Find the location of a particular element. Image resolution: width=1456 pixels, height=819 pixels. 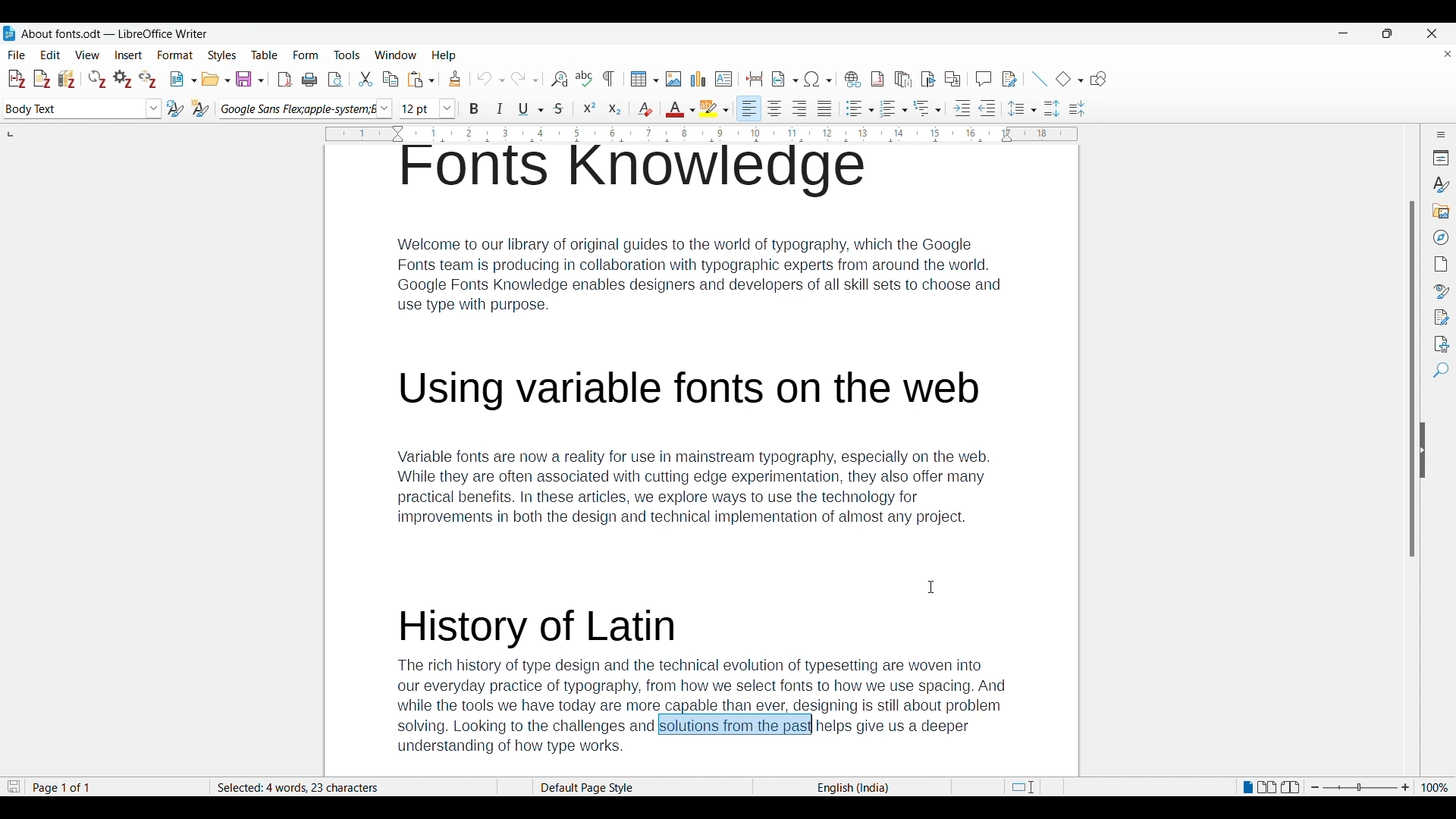

Insert text box is located at coordinates (724, 79).